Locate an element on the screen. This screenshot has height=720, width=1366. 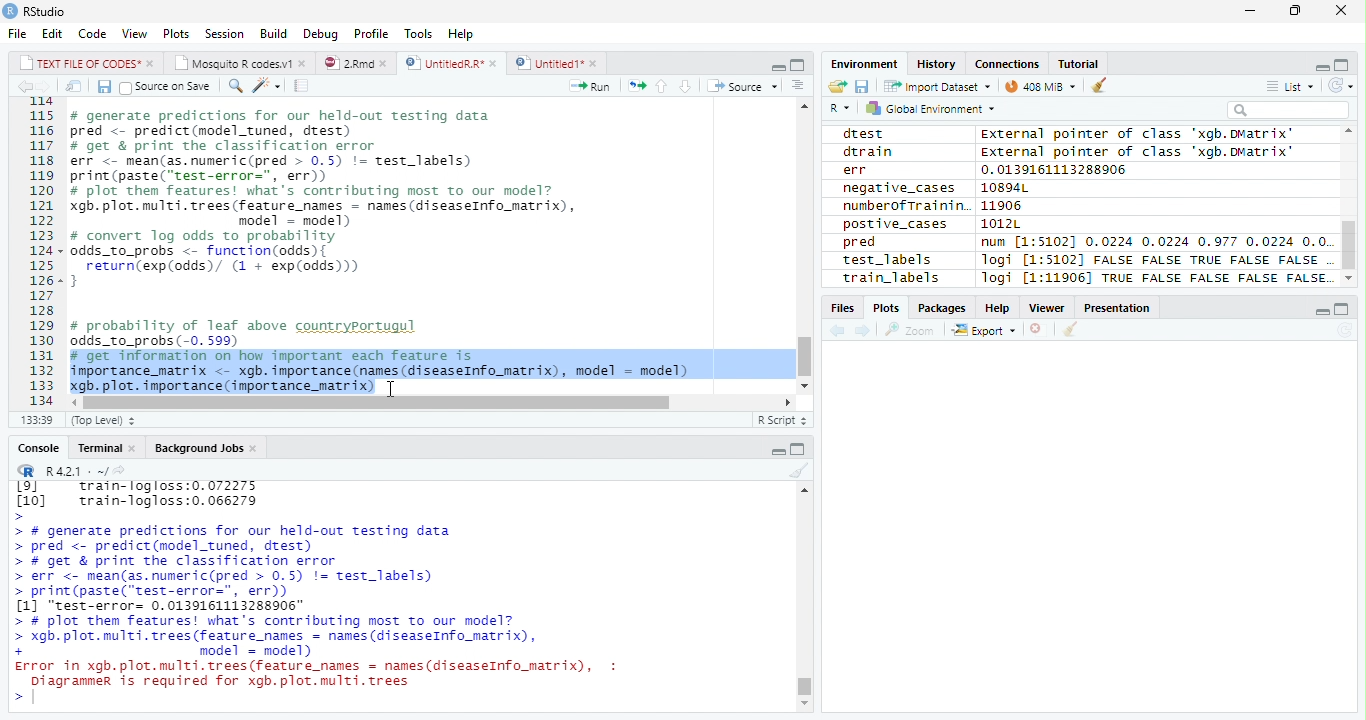
Plots is located at coordinates (174, 33).